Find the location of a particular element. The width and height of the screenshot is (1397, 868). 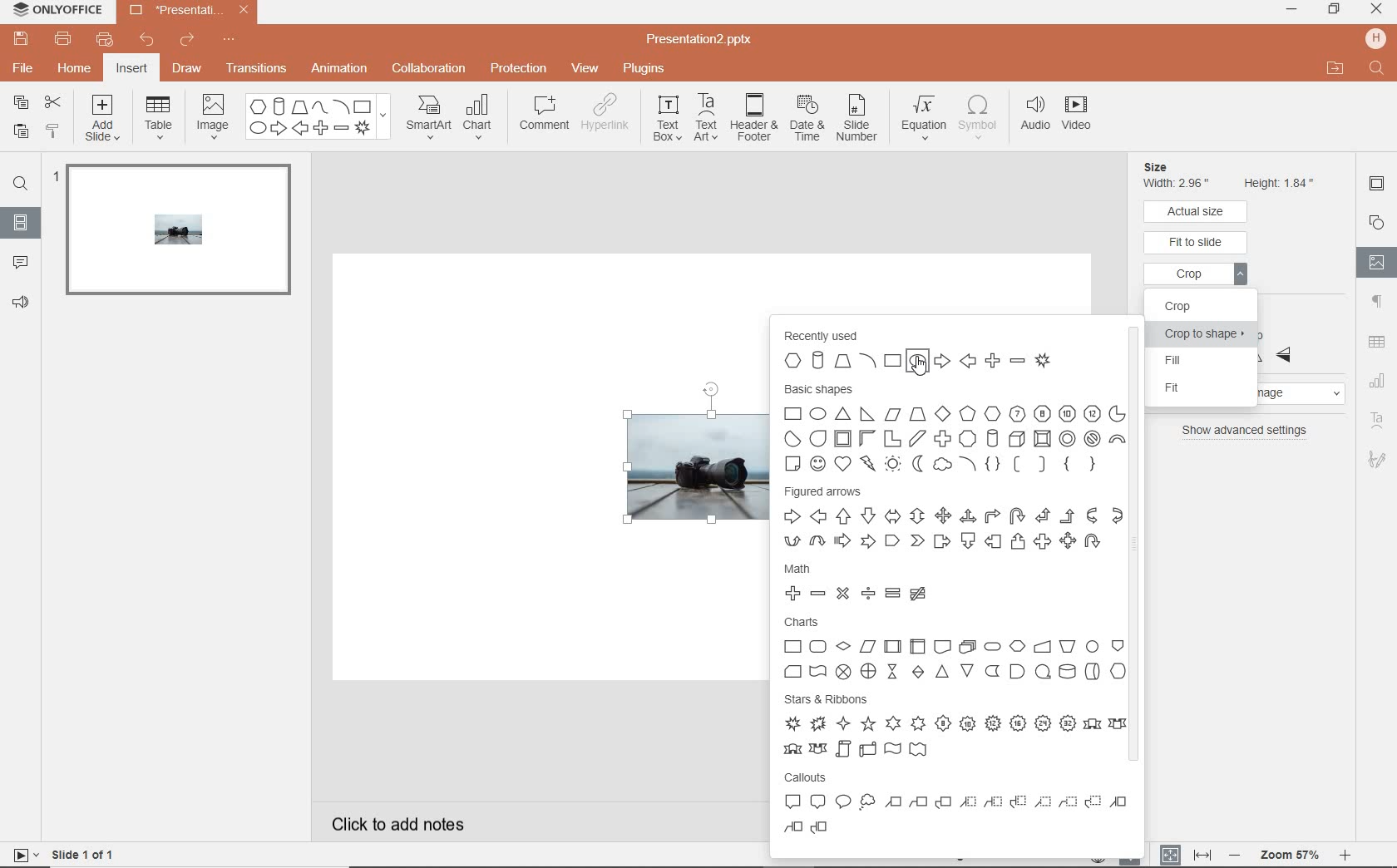

slide 1 of 1 is located at coordinates (62, 856).